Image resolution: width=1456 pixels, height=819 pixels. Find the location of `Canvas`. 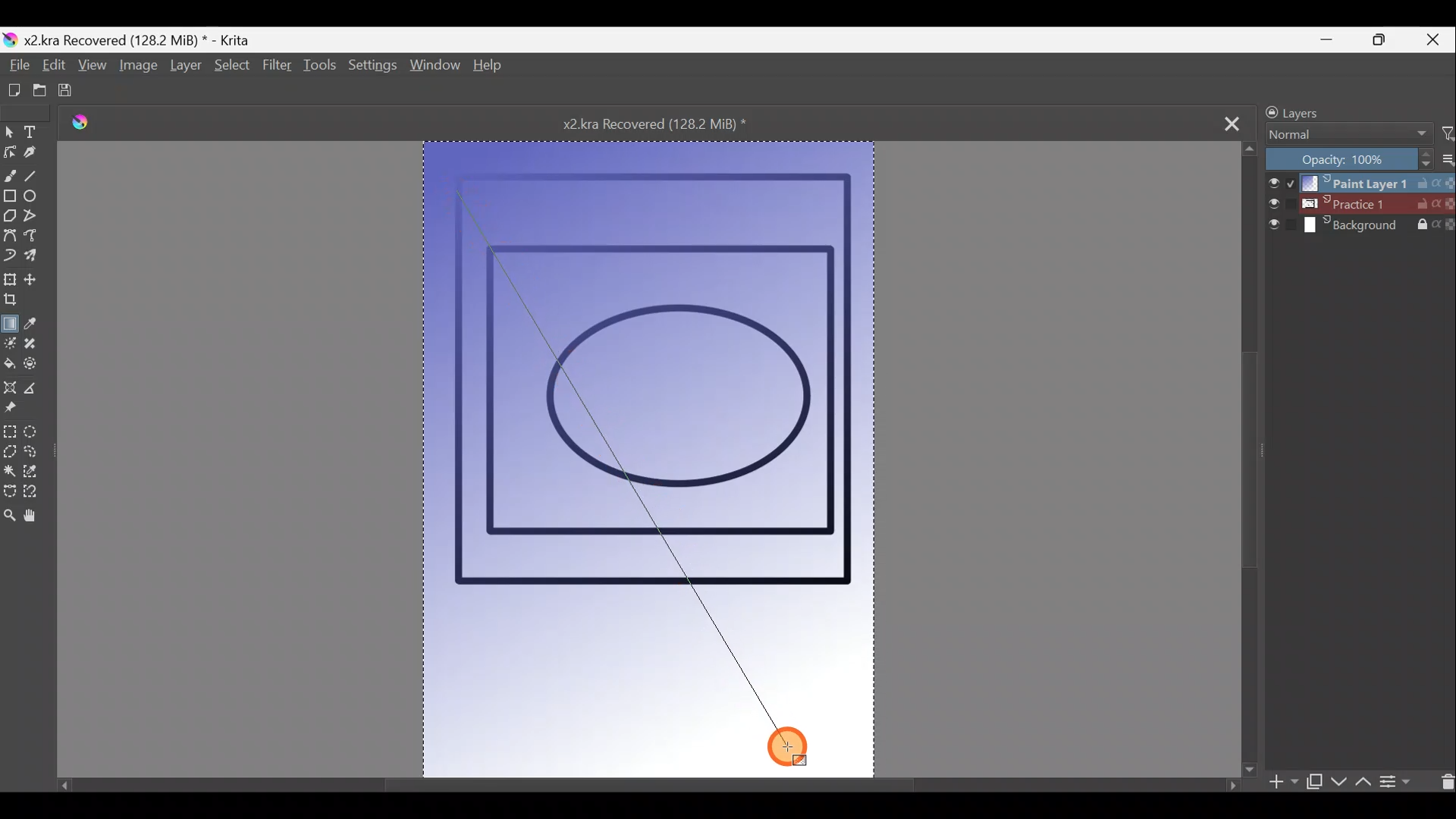

Canvas is located at coordinates (651, 454).